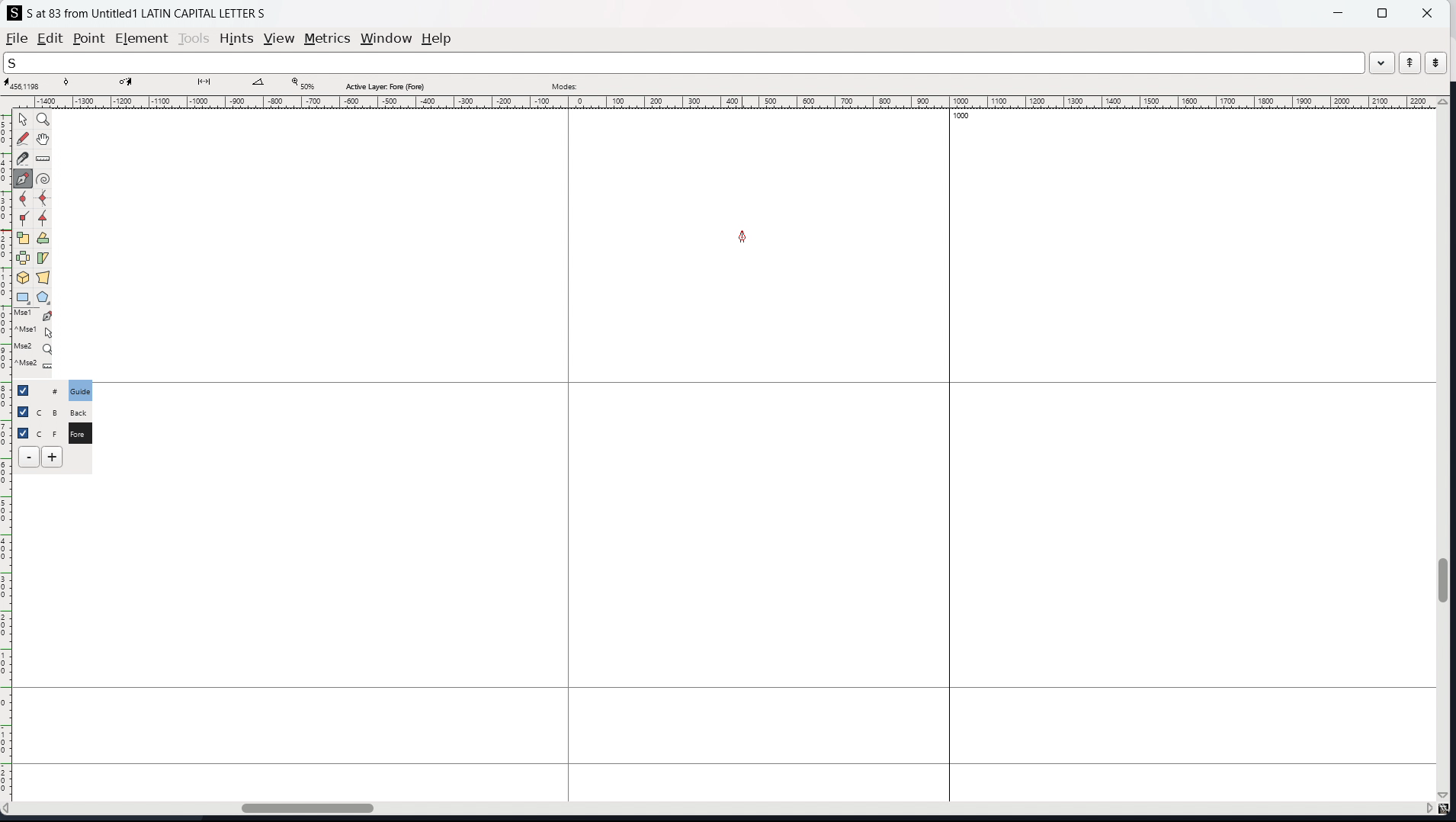 Image resolution: width=1456 pixels, height=822 pixels. I want to click on C B Back, so click(78, 410).